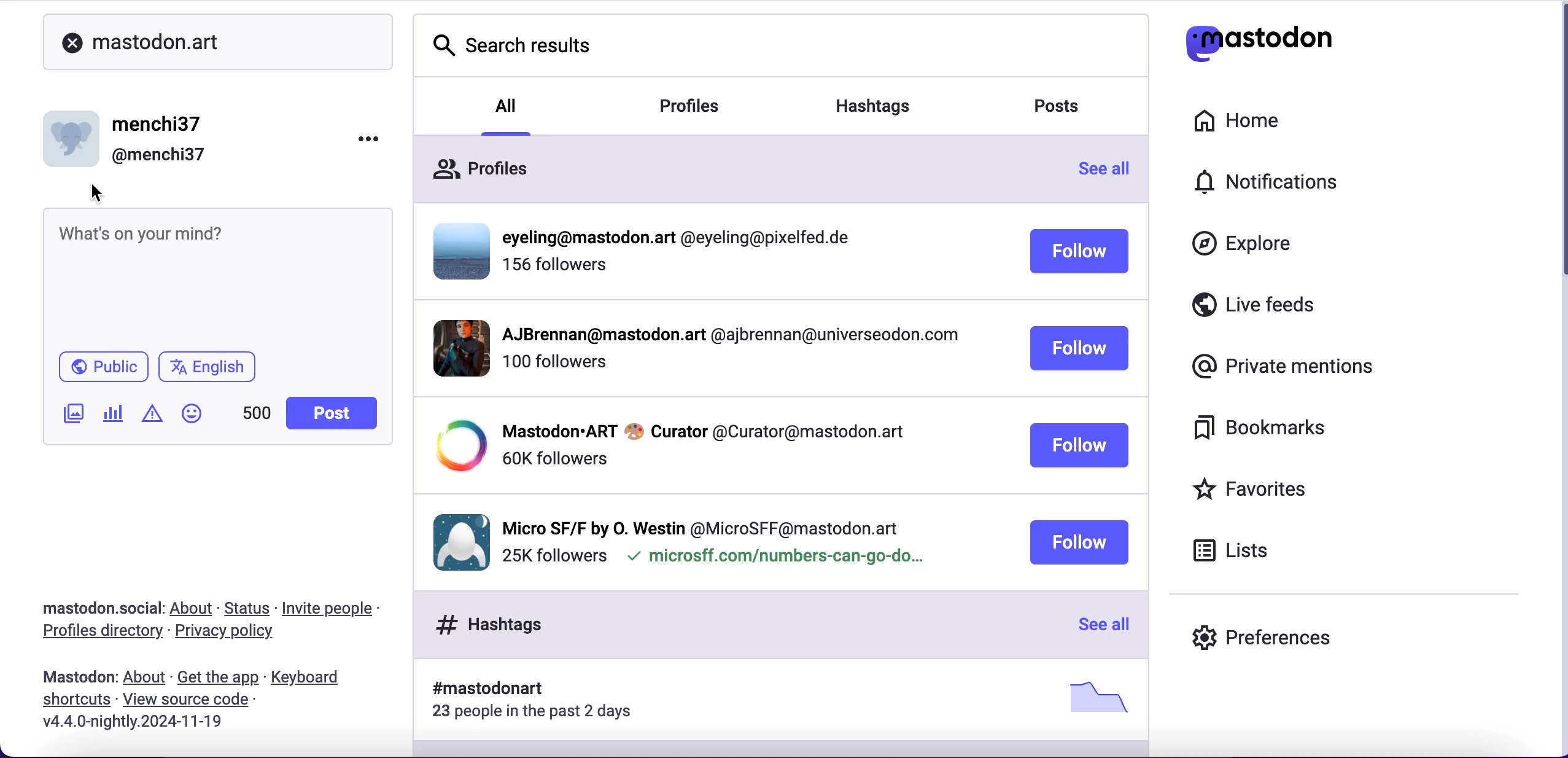 The image size is (1568, 758). What do you see at coordinates (186, 700) in the screenshot?
I see `view source code` at bounding box center [186, 700].